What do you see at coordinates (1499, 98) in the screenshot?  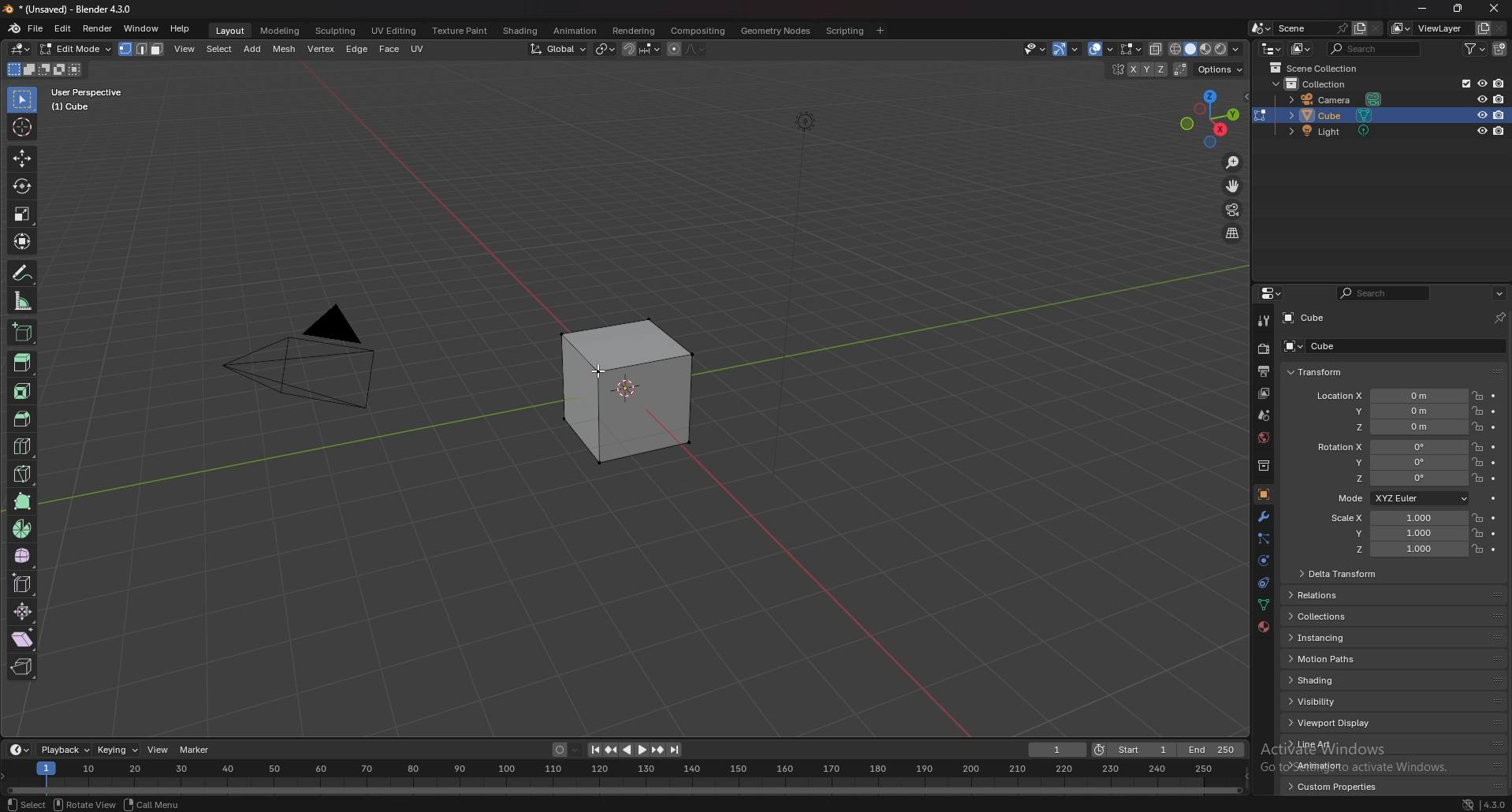 I see `disable in renders` at bounding box center [1499, 98].